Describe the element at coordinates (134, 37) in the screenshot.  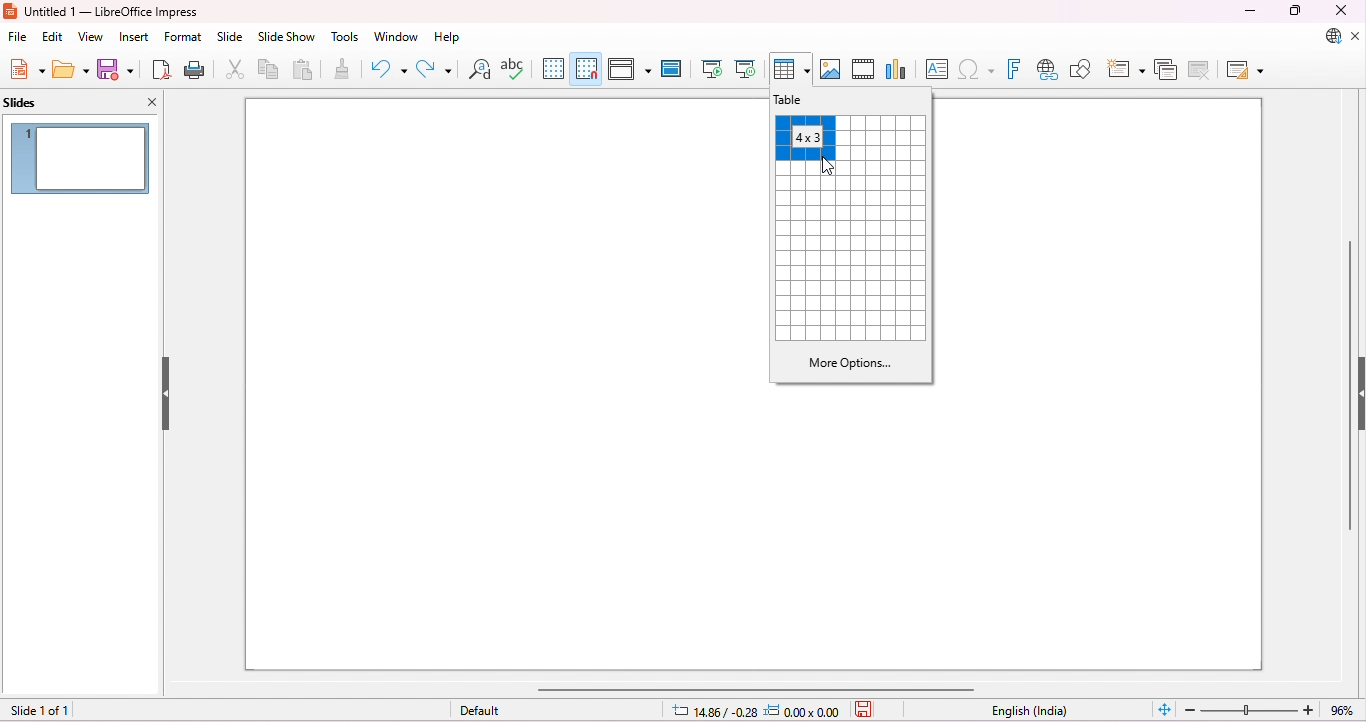
I see `insert` at that location.